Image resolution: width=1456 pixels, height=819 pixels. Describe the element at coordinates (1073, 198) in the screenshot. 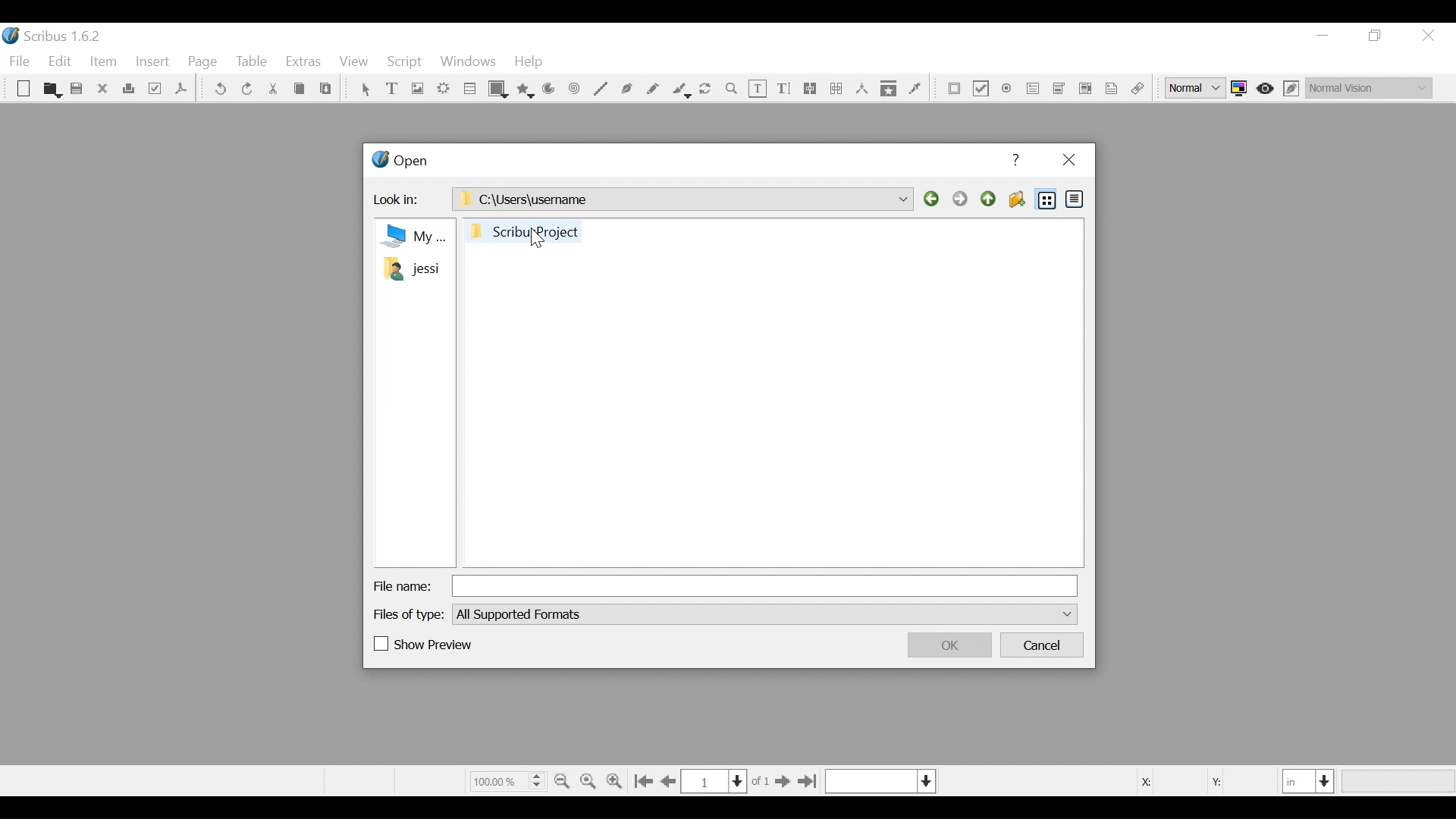

I see `Detail View` at that location.